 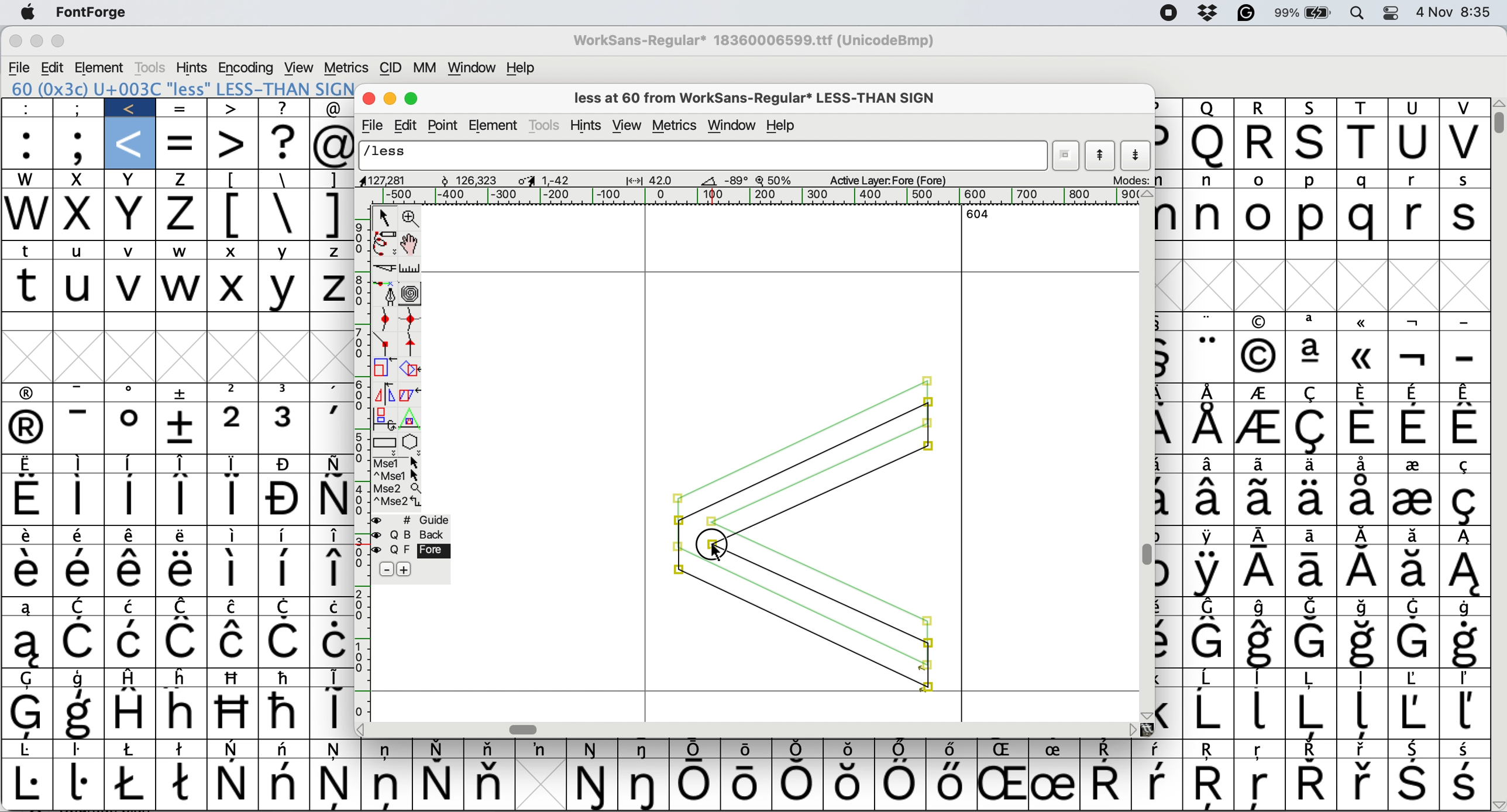 I want to click on Symbol, so click(x=1414, y=322).